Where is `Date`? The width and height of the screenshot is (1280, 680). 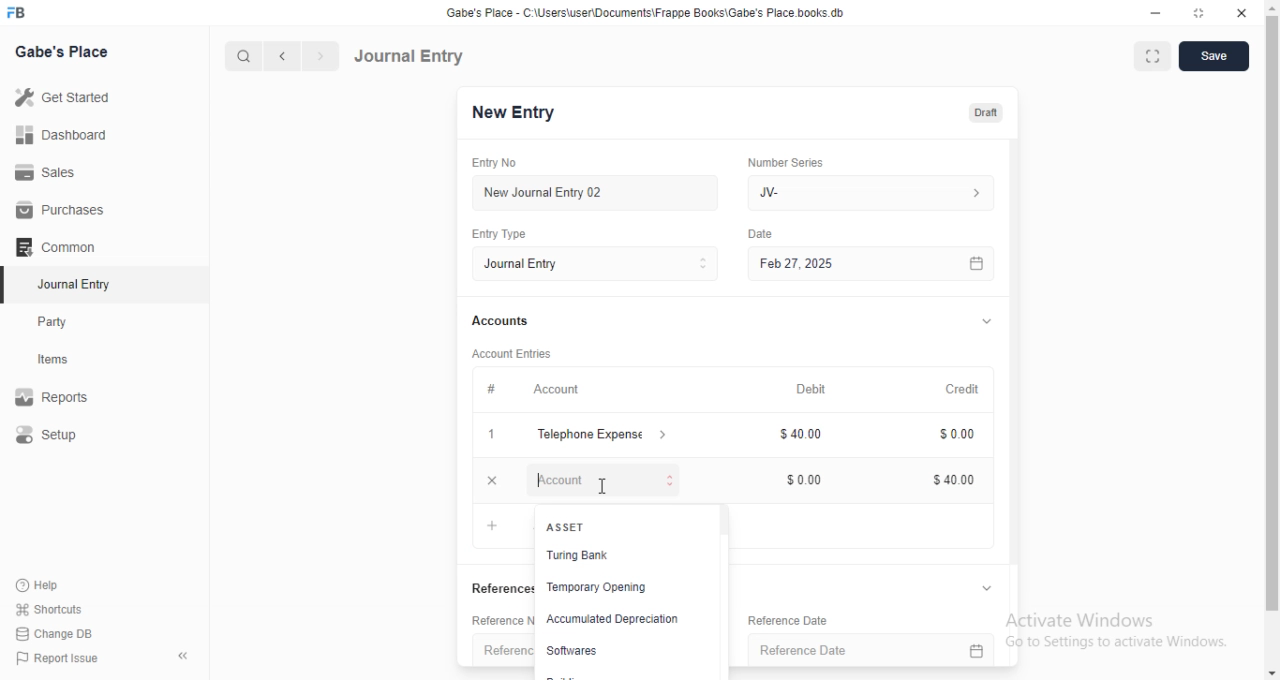 Date is located at coordinates (772, 232).